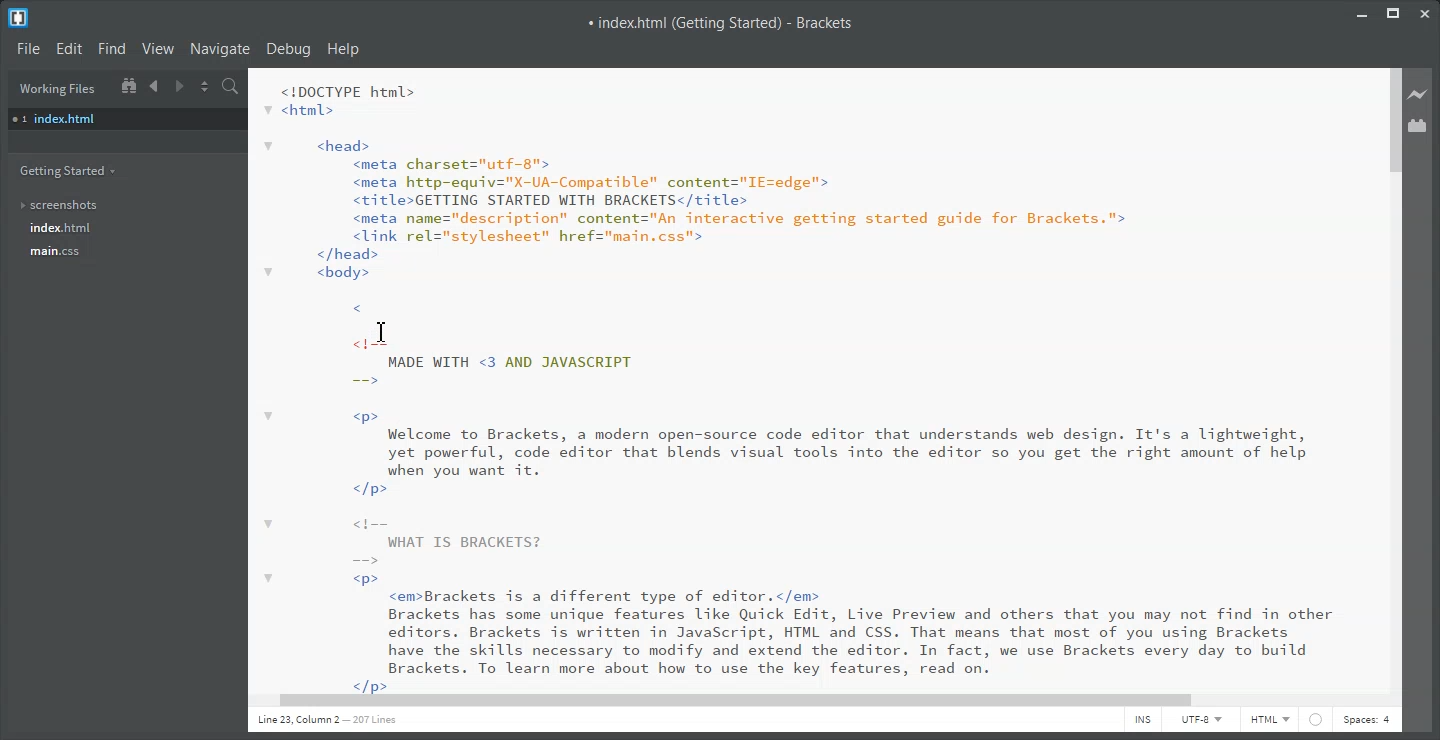  I want to click on Text 2, so click(798, 380).